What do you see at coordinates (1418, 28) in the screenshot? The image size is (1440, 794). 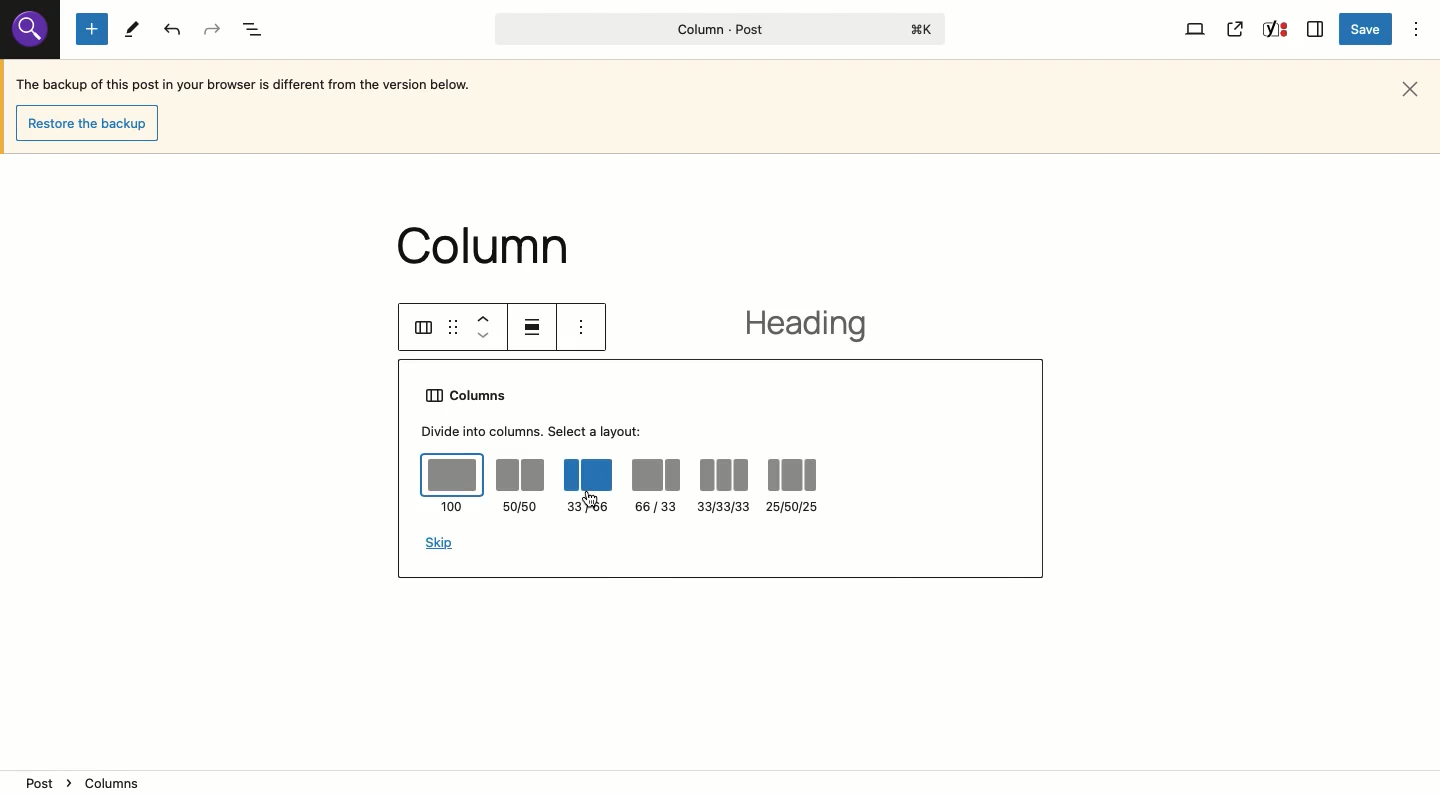 I see `Options` at bounding box center [1418, 28].